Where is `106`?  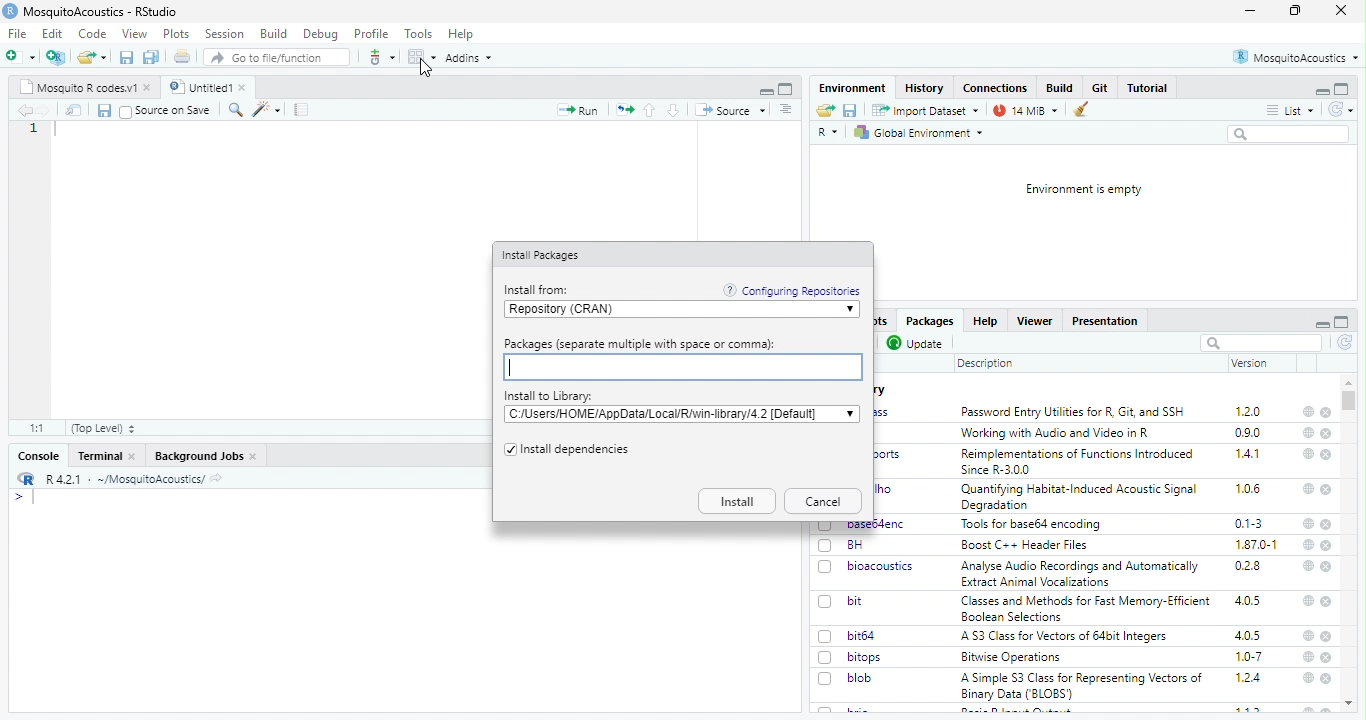
106 is located at coordinates (1248, 489).